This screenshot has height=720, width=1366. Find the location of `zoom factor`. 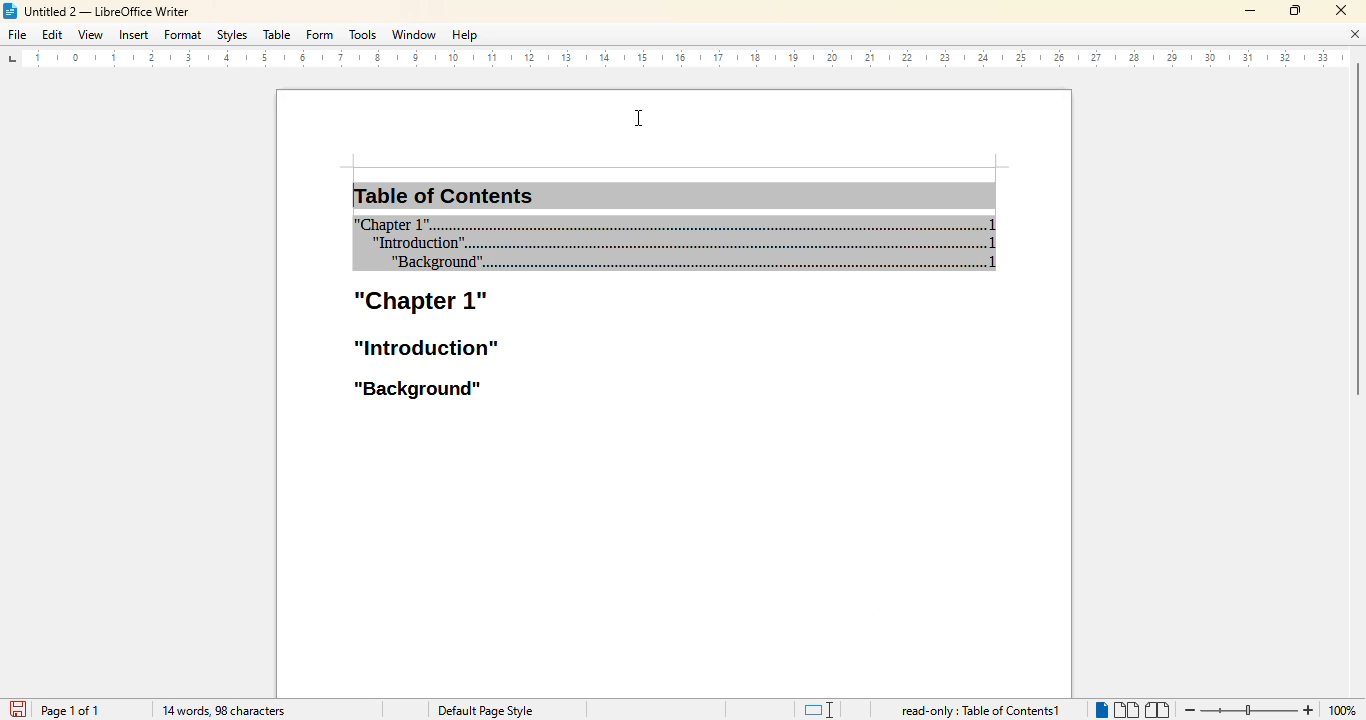

zoom factor is located at coordinates (1344, 711).